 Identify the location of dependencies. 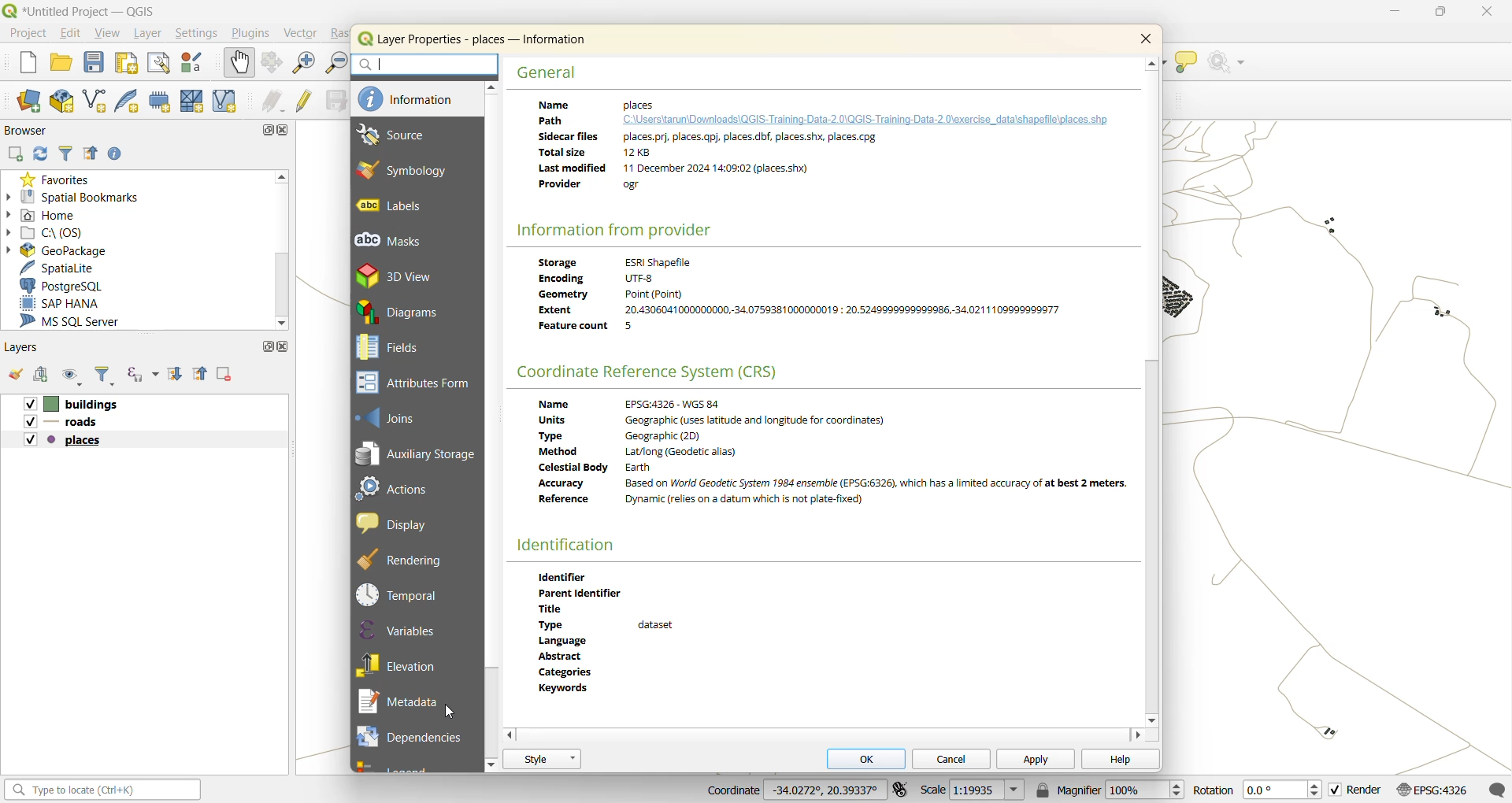
(409, 737).